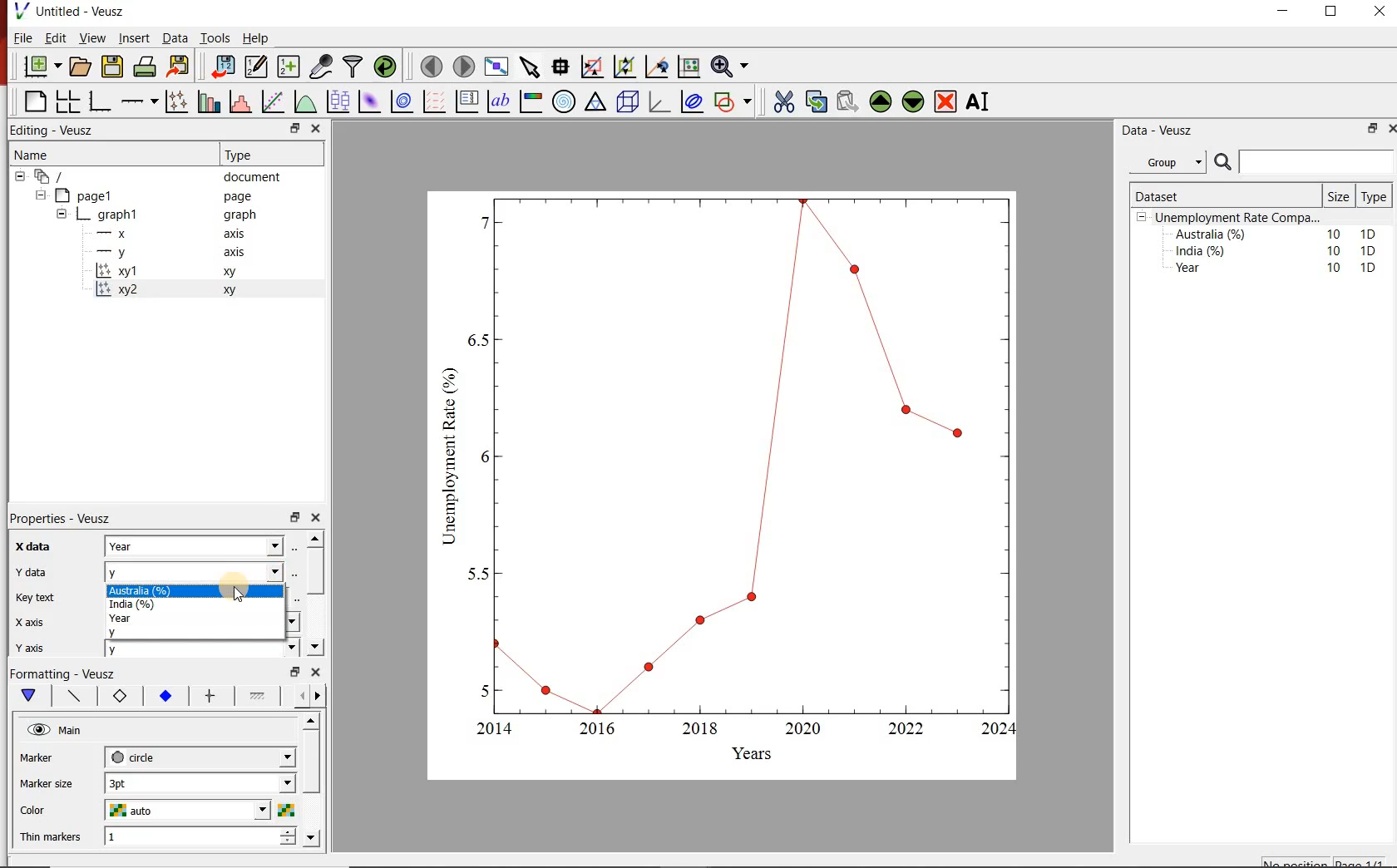 The image size is (1397, 868). What do you see at coordinates (1277, 250) in the screenshot?
I see `India (%) 10 1D` at bounding box center [1277, 250].